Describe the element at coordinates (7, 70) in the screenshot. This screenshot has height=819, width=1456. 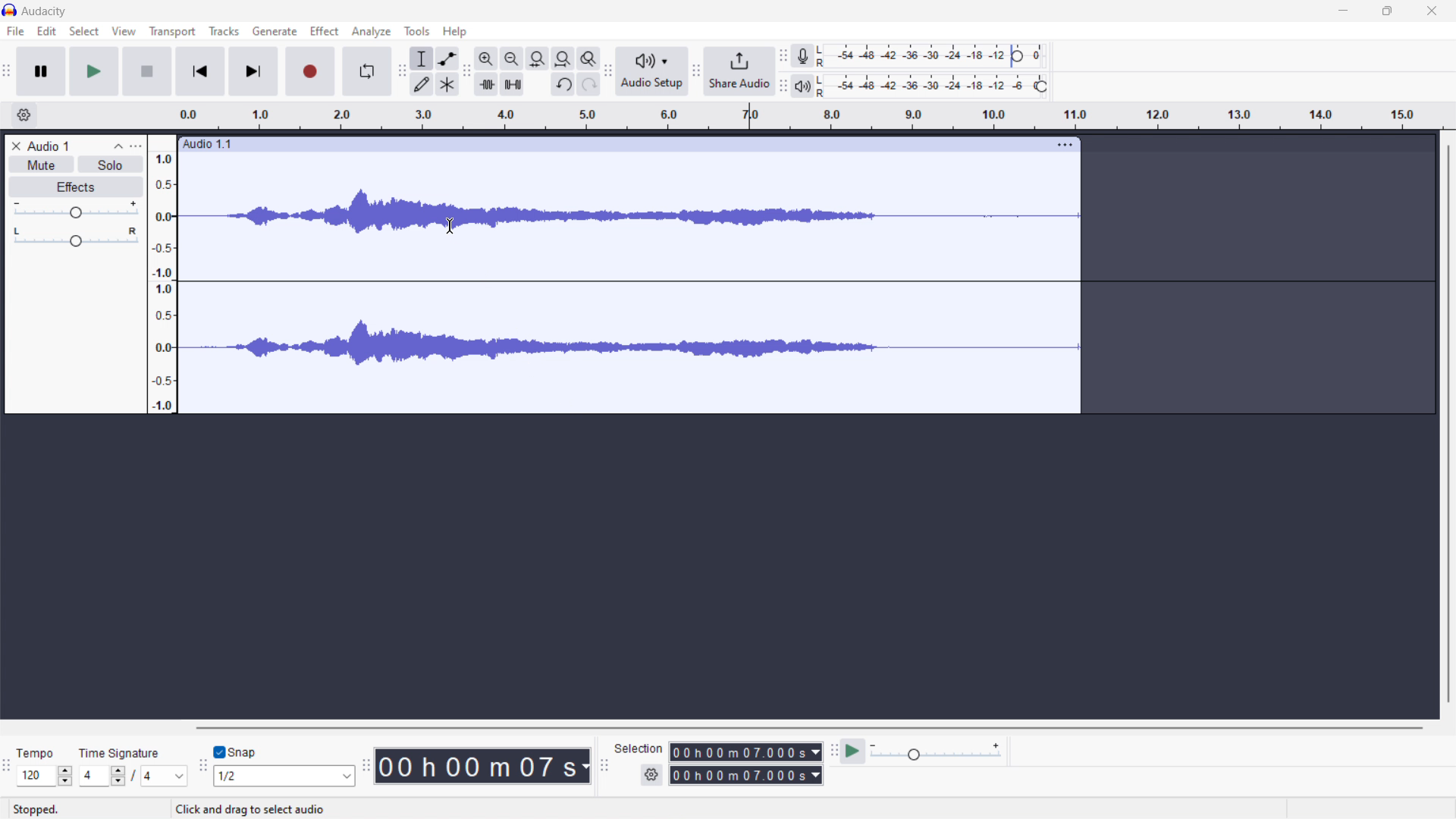
I see `audacity transport window` at that location.